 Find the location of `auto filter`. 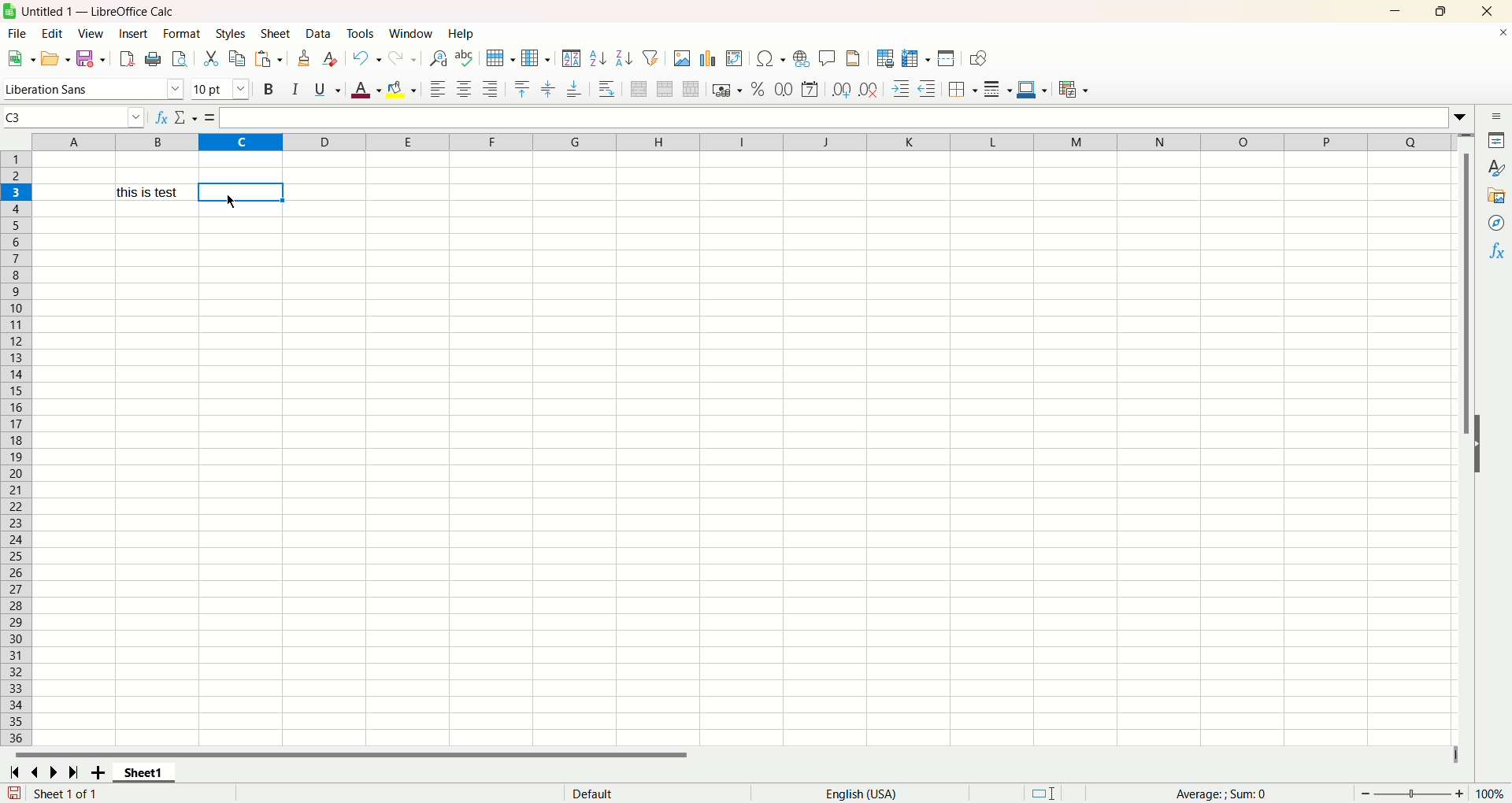

auto filter is located at coordinates (650, 56).